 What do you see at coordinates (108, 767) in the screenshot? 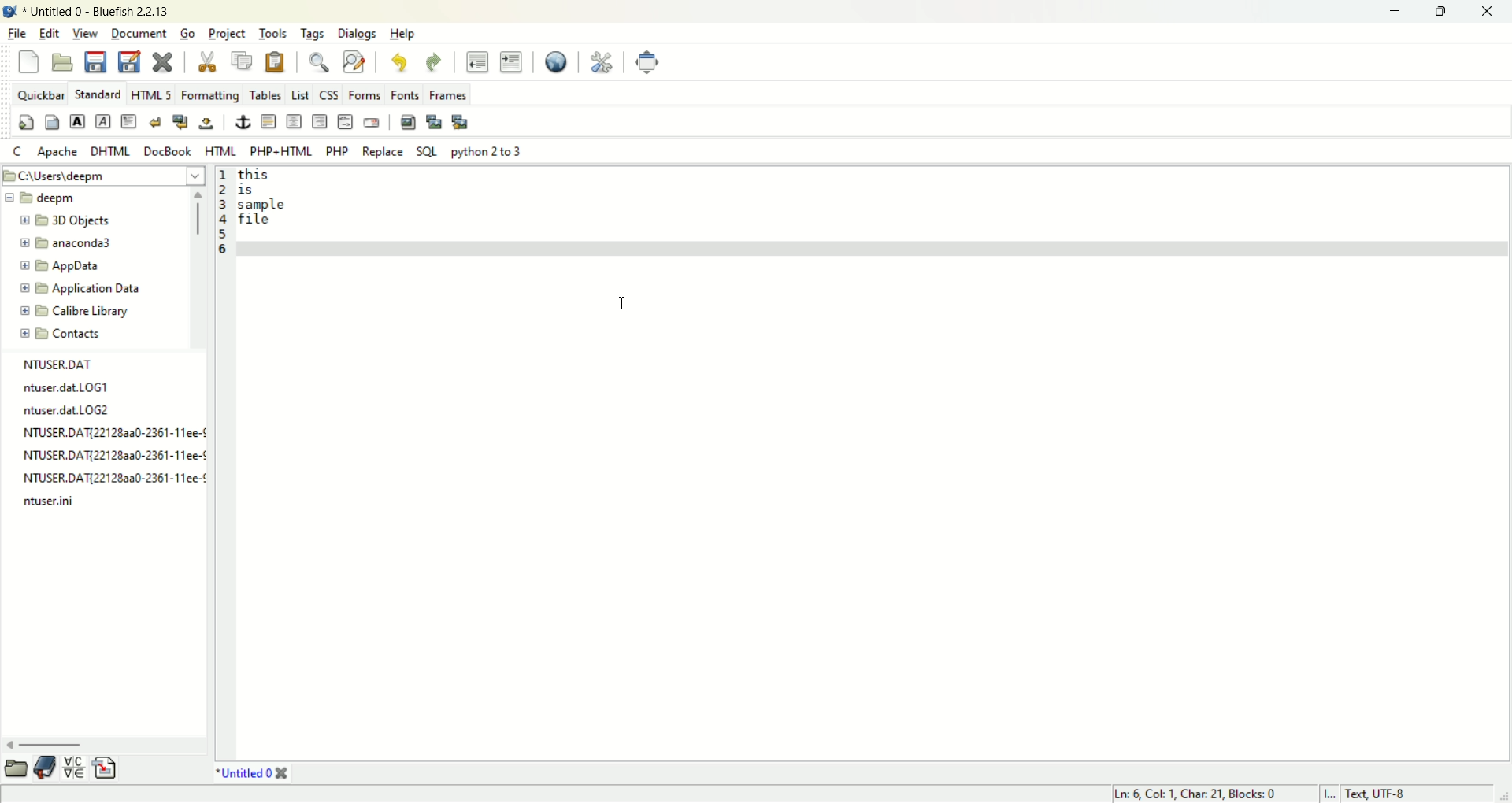
I see `snippet` at bounding box center [108, 767].